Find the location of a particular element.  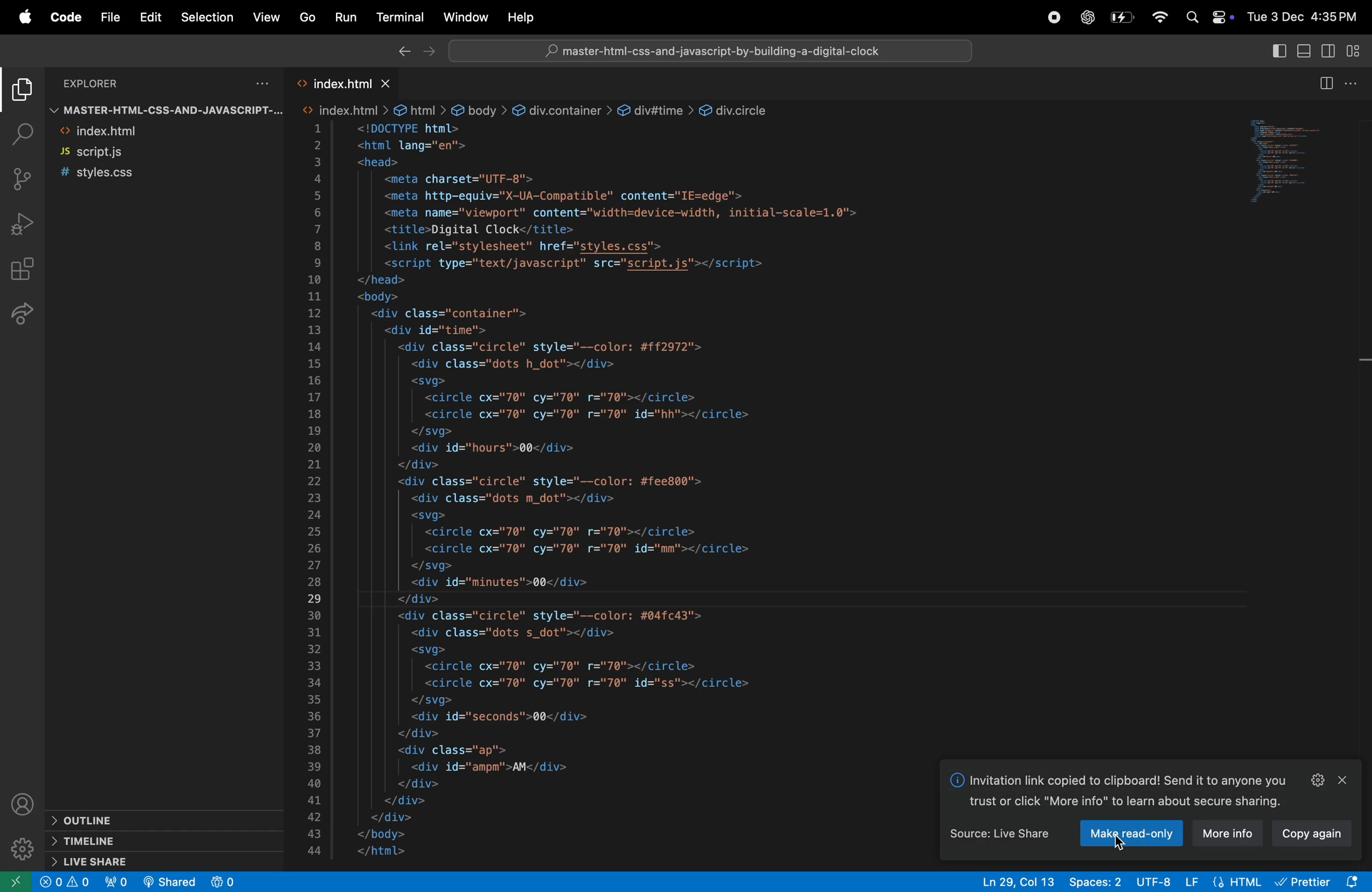

help is located at coordinates (519, 18).